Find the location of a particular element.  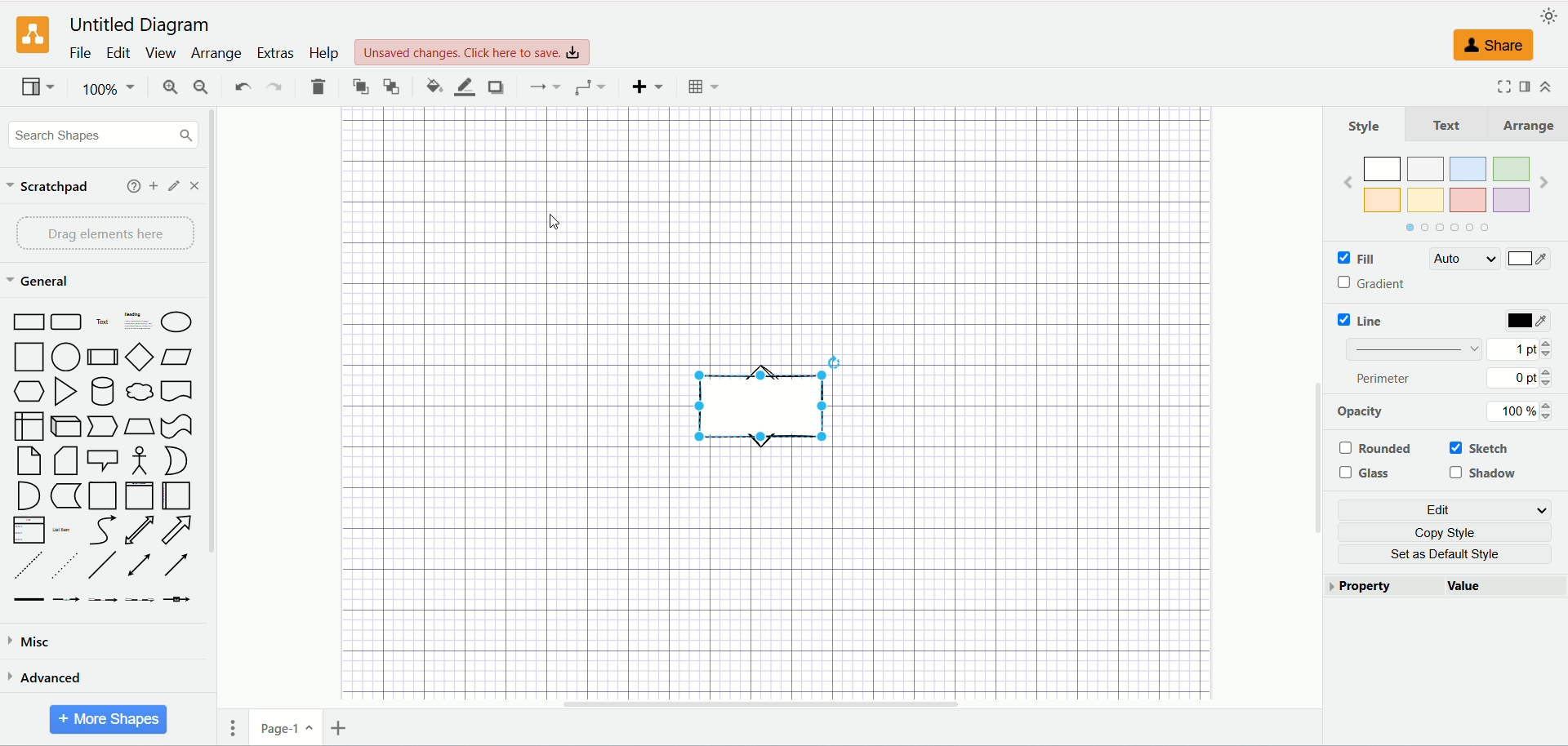

to front is located at coordinates (362, 85).